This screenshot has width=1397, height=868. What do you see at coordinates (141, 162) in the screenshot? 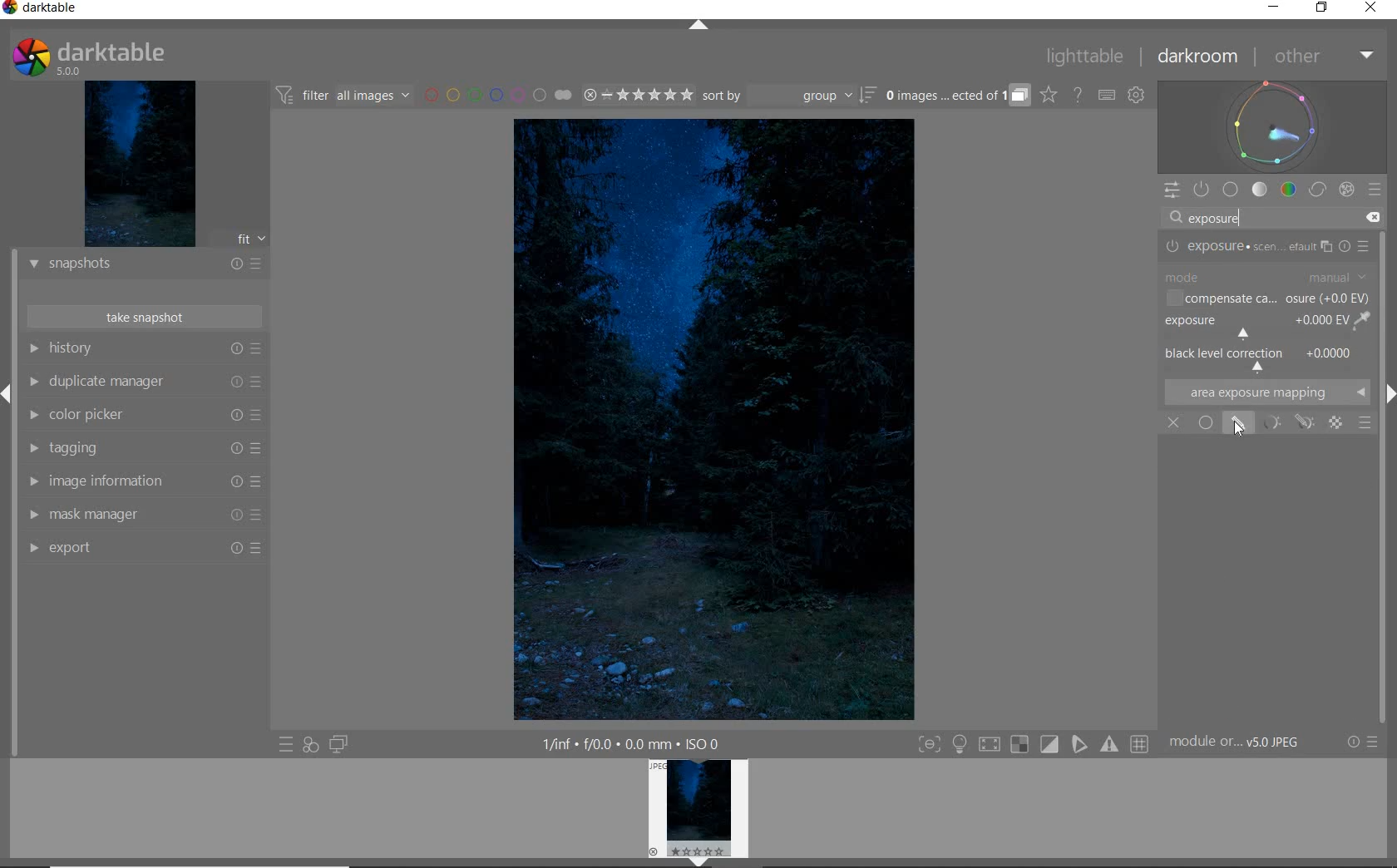
I see `IMAGE PREVIEW` at bounding box center [141, 162].